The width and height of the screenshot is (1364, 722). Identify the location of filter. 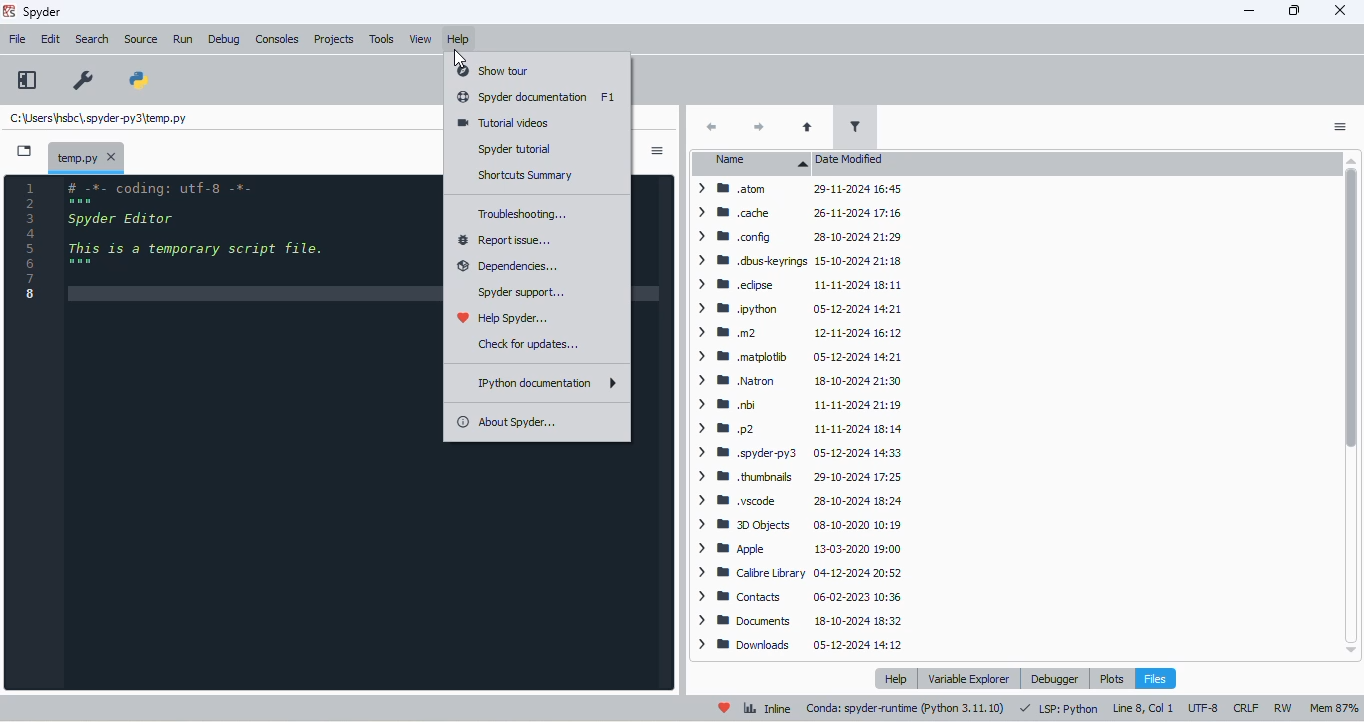
(854, 125).